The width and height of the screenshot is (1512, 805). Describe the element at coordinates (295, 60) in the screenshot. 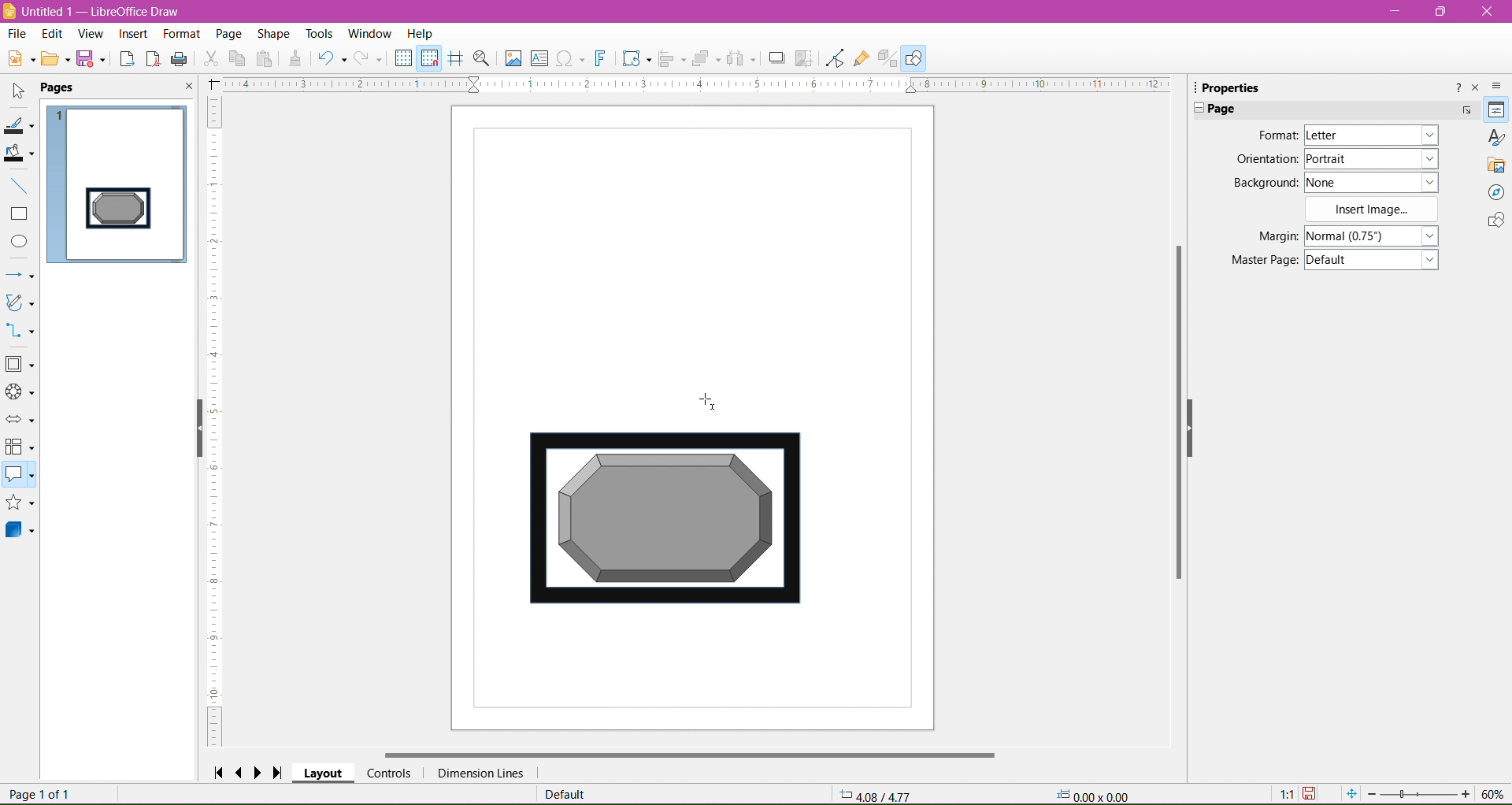

I see `Cone formatting` at that location.